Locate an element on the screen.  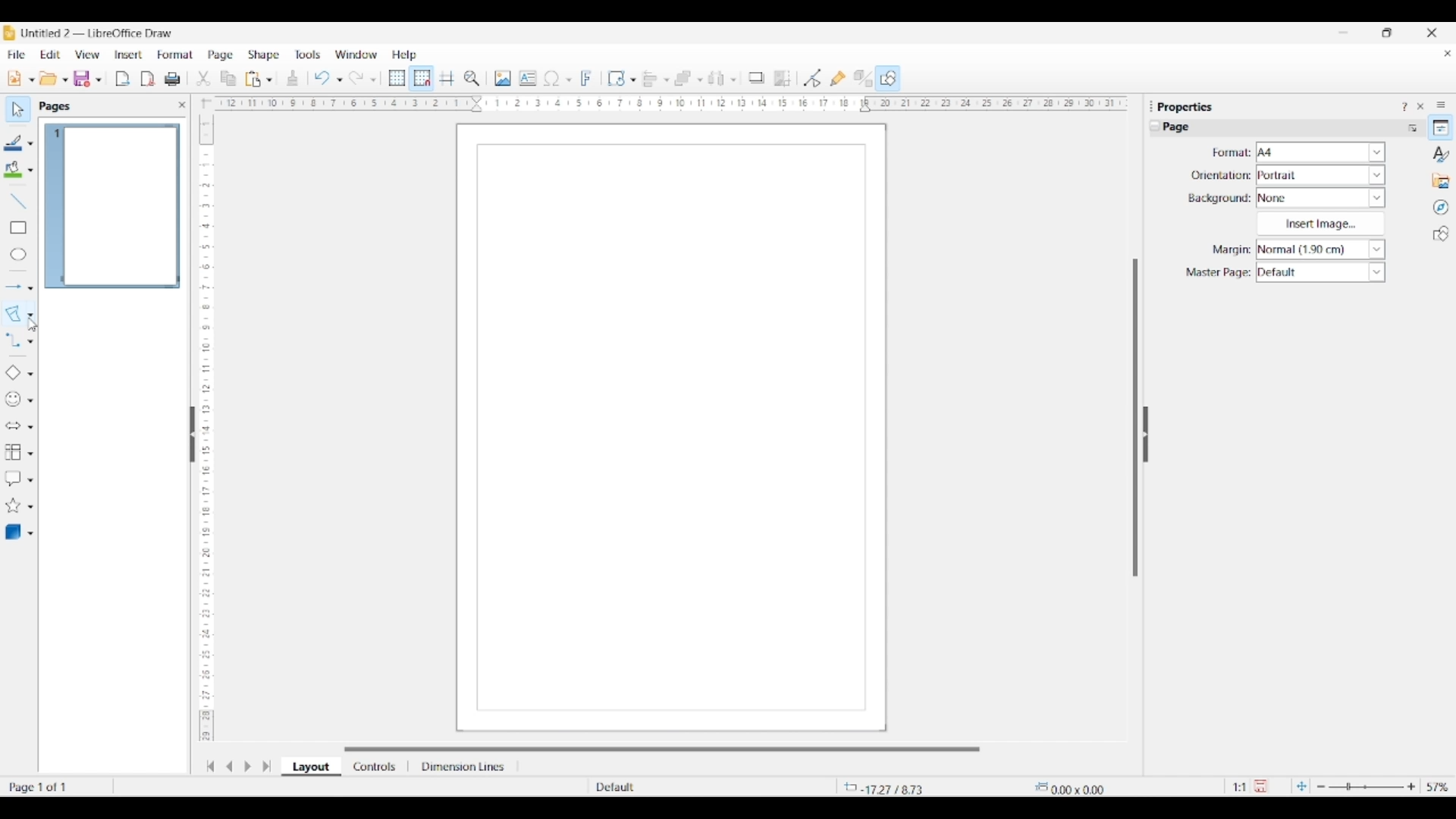
Properties is located at coordinates (1441, 127).